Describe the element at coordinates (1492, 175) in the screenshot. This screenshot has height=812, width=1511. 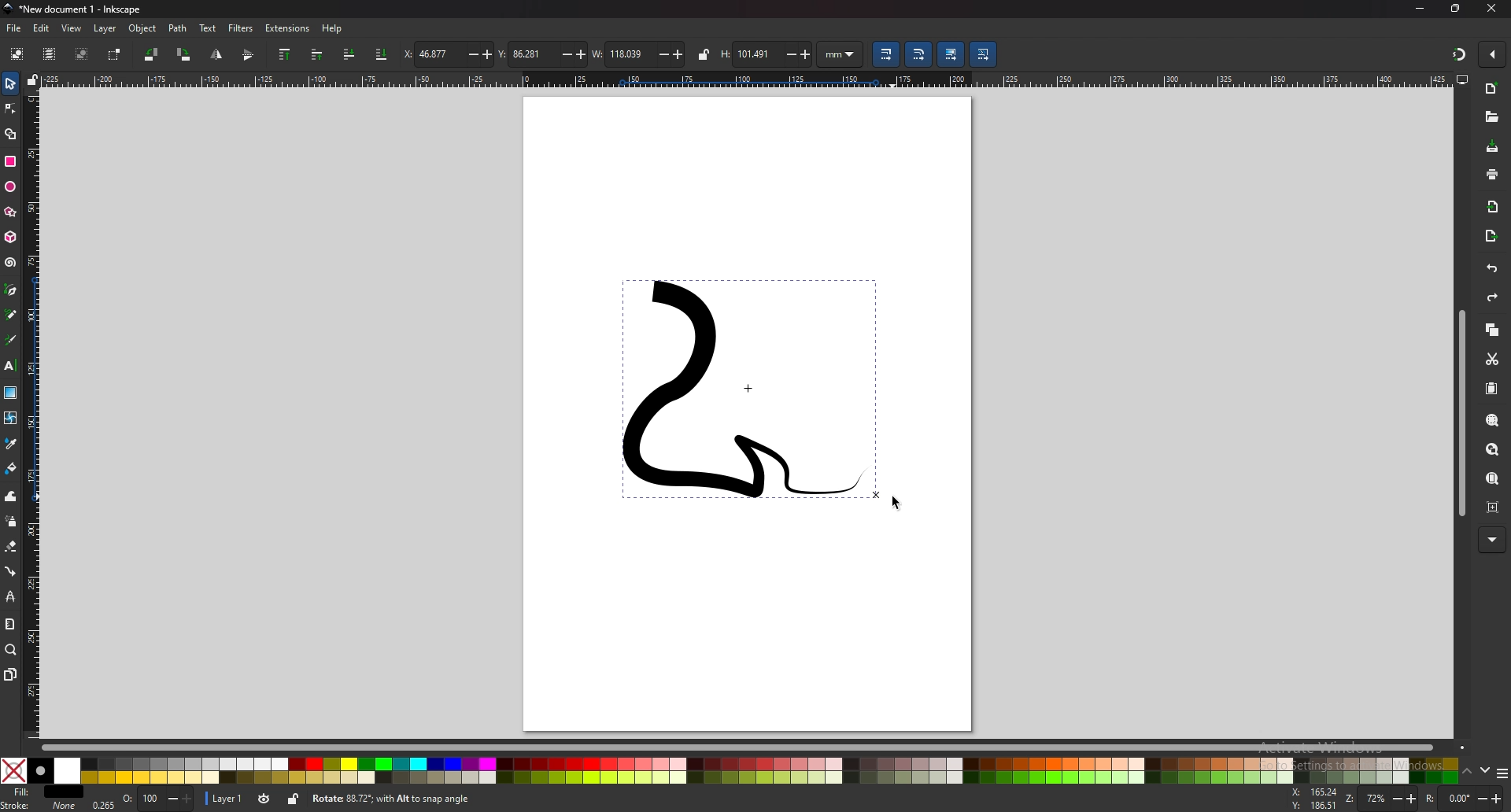
I see `print` at that location.